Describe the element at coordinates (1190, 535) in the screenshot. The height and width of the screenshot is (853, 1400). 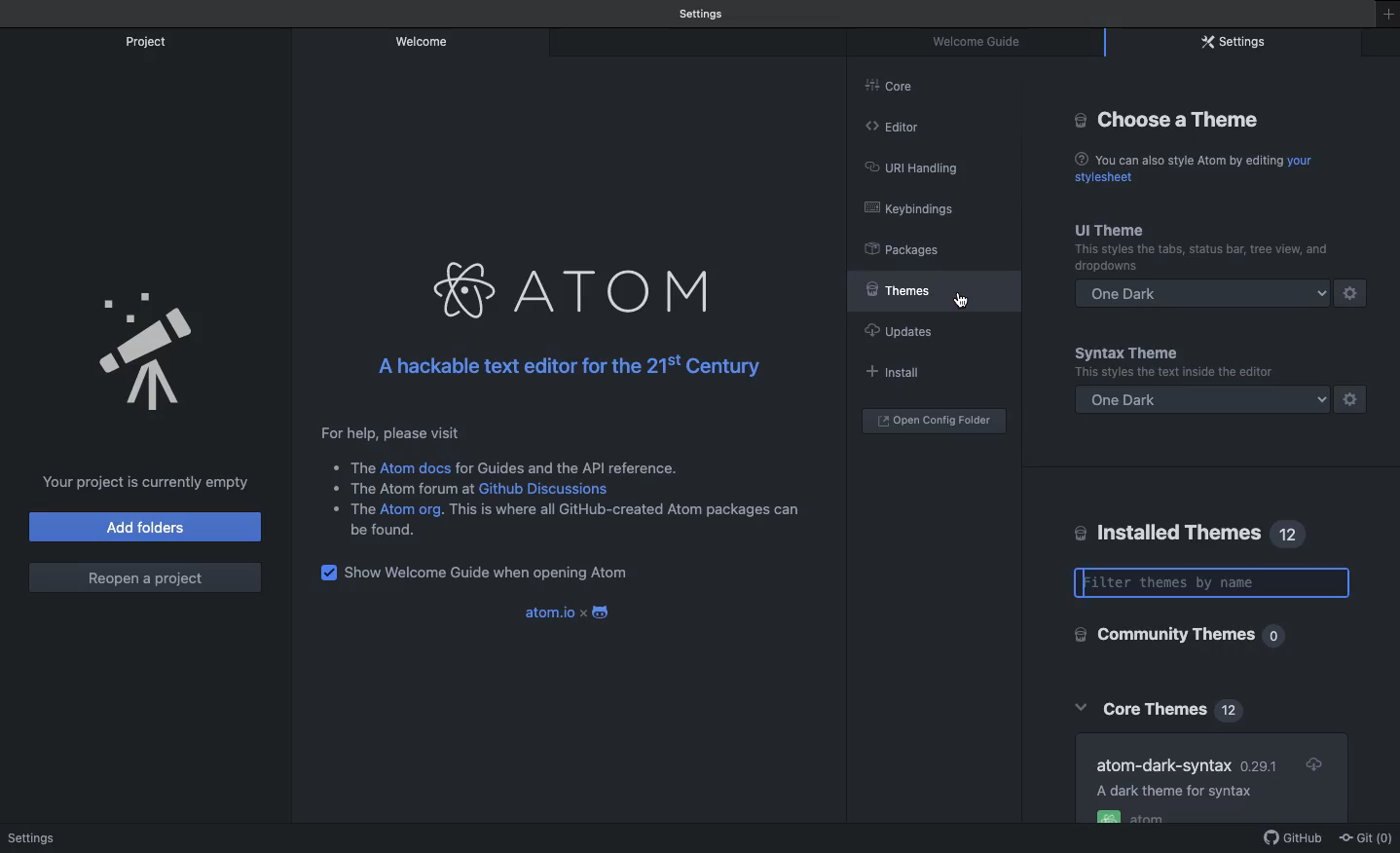
I see `Installed themes ` at that location.